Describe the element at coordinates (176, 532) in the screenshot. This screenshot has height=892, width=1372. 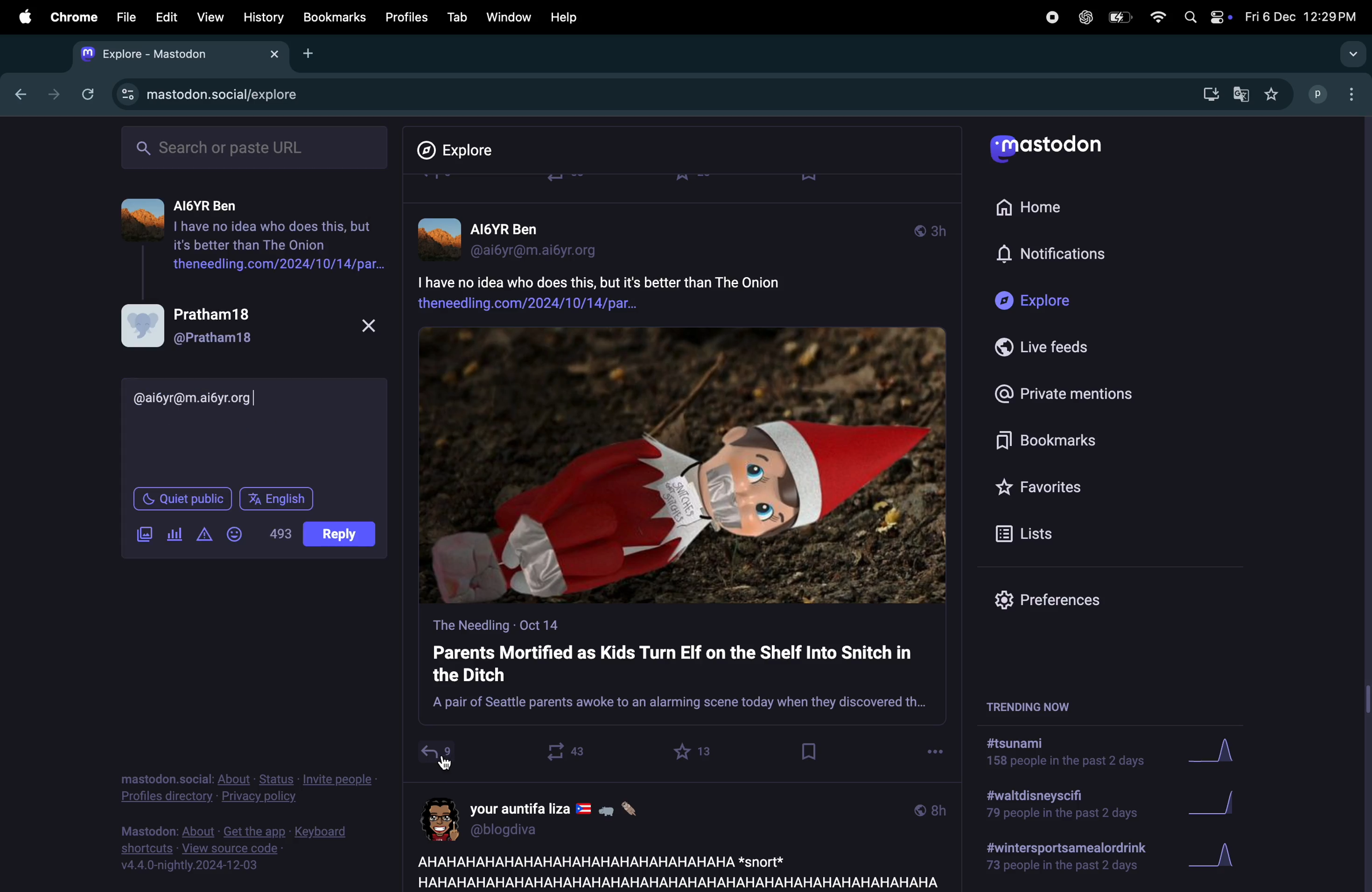
I see `poll` at that location.